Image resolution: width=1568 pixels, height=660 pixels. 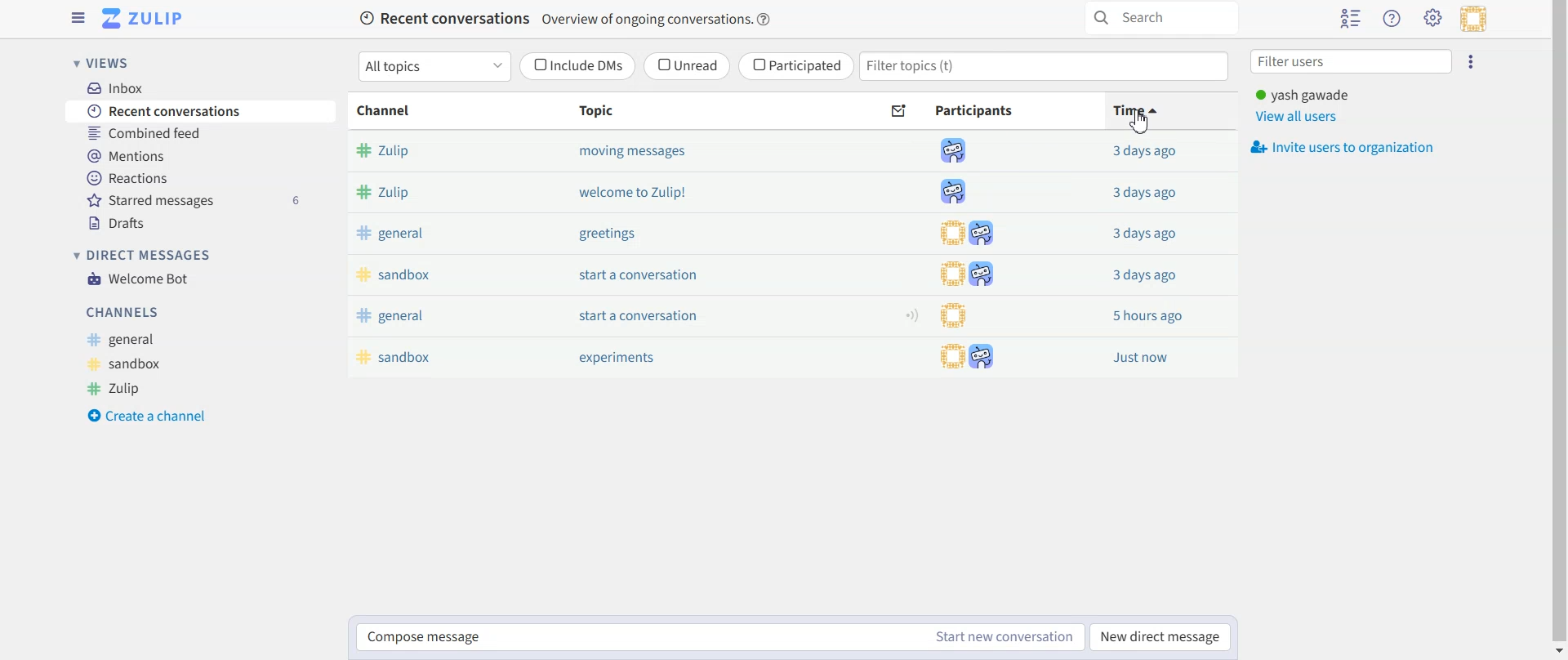 What do you see at coordinates (200, 177) in the screenshot?
I see `Reactions` at bounding box center [200, 177].